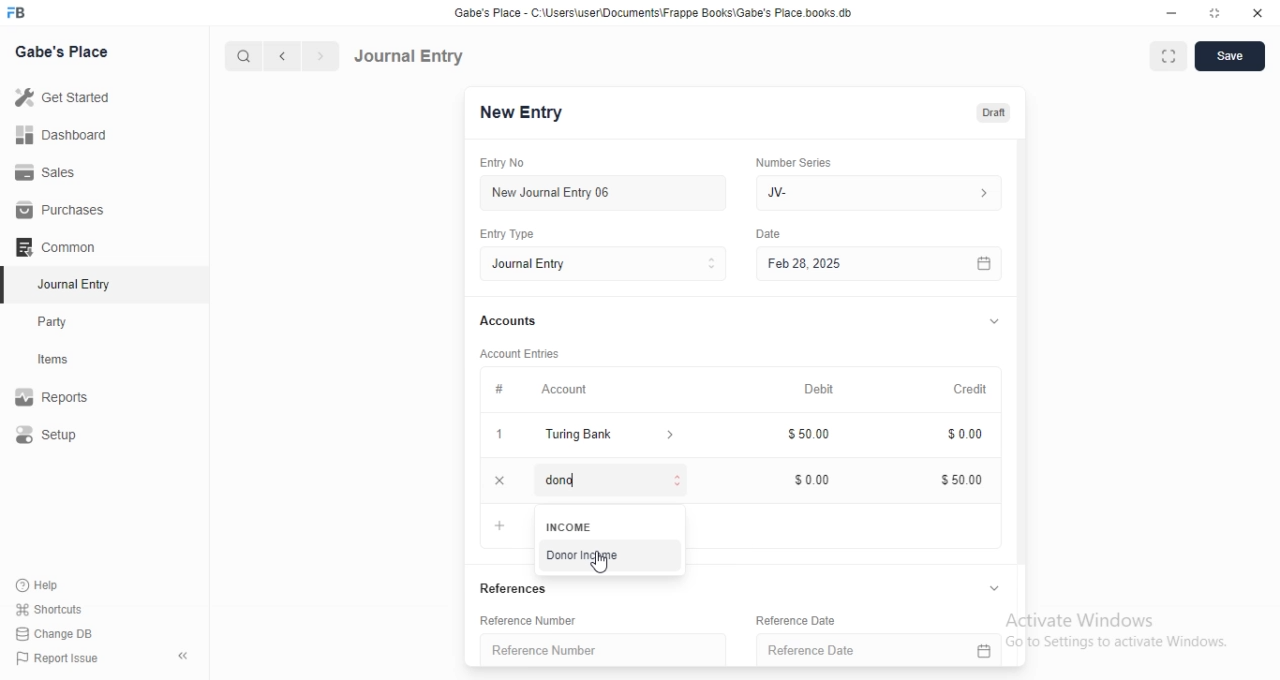 Image resolution: width=1280 pixels, height=680 pixels. I want to click on Reference Date, so click(807, 620).